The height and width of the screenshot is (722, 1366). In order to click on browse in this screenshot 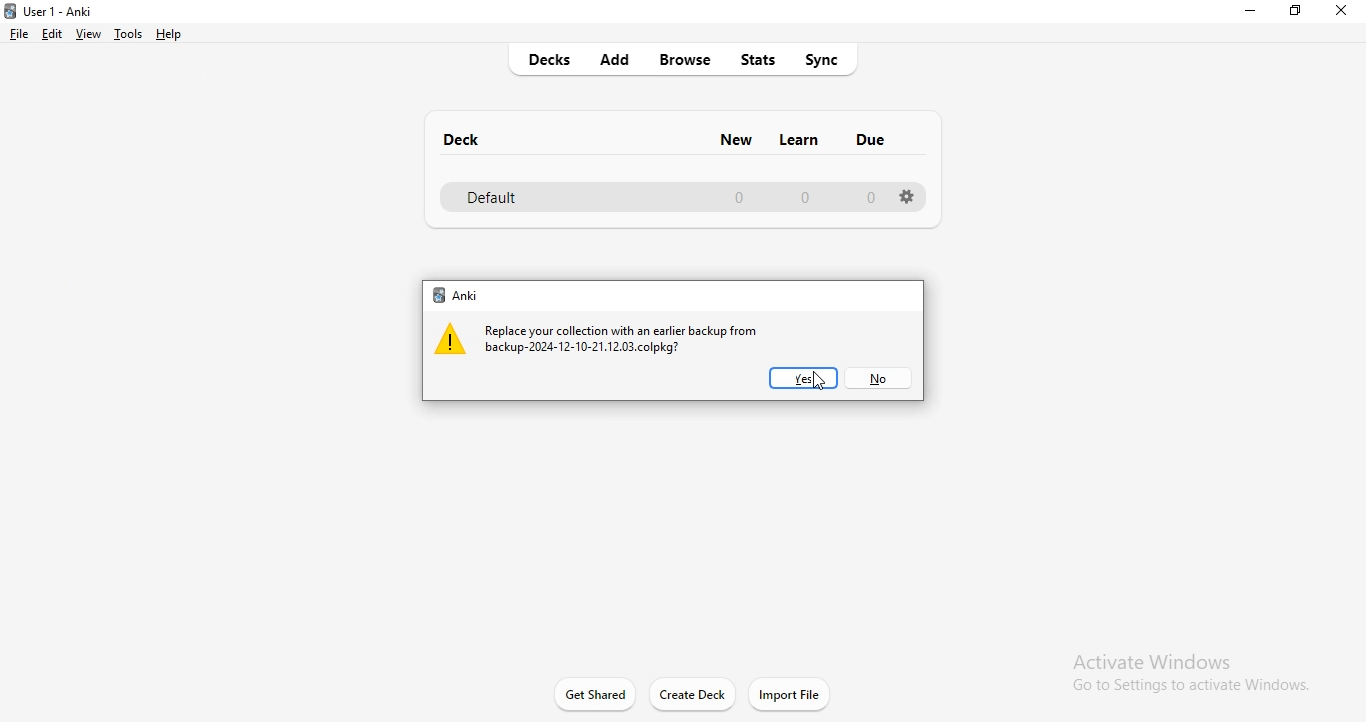, I will do `click(688, 60)`.